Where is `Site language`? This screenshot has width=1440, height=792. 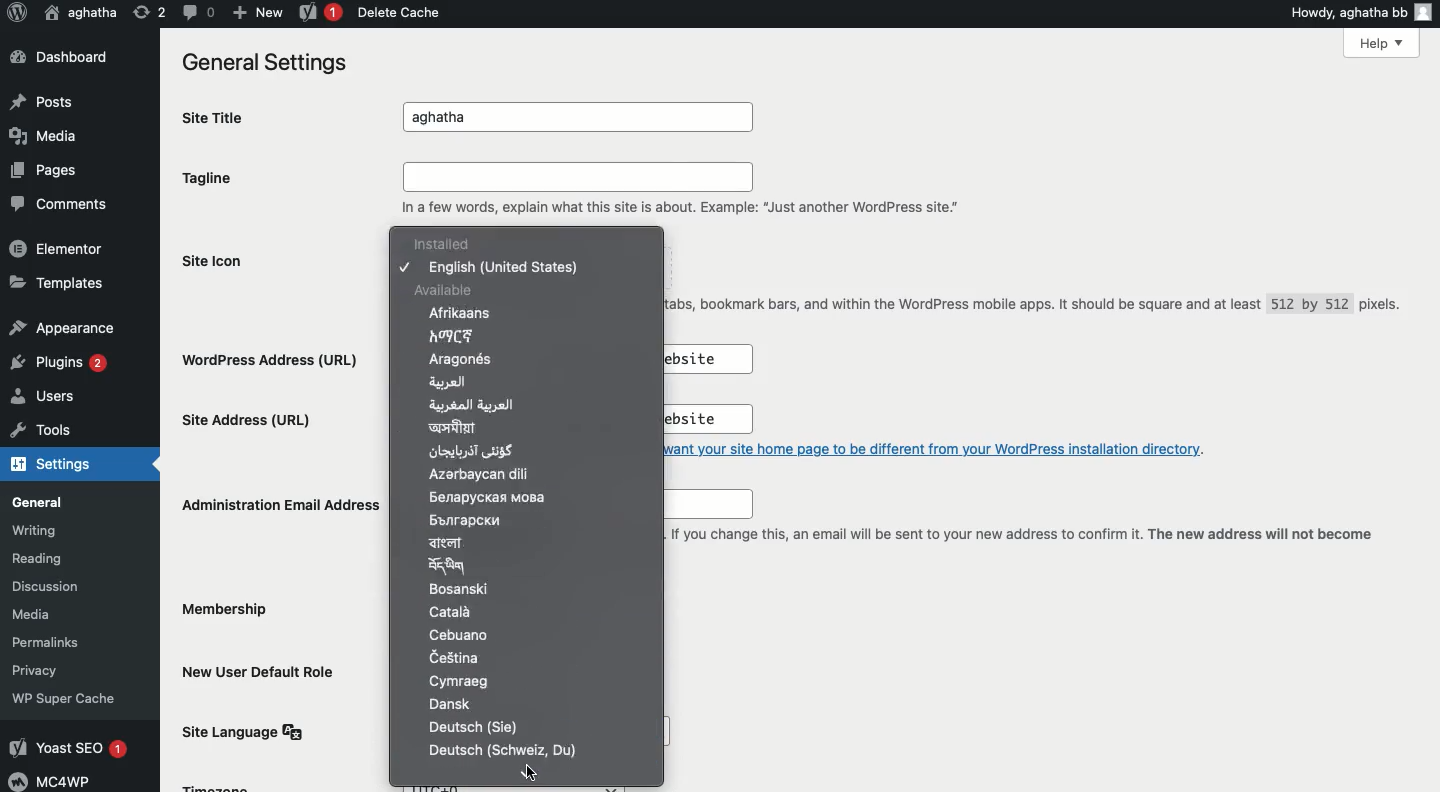 Site language is located at coordinates (249, 731).